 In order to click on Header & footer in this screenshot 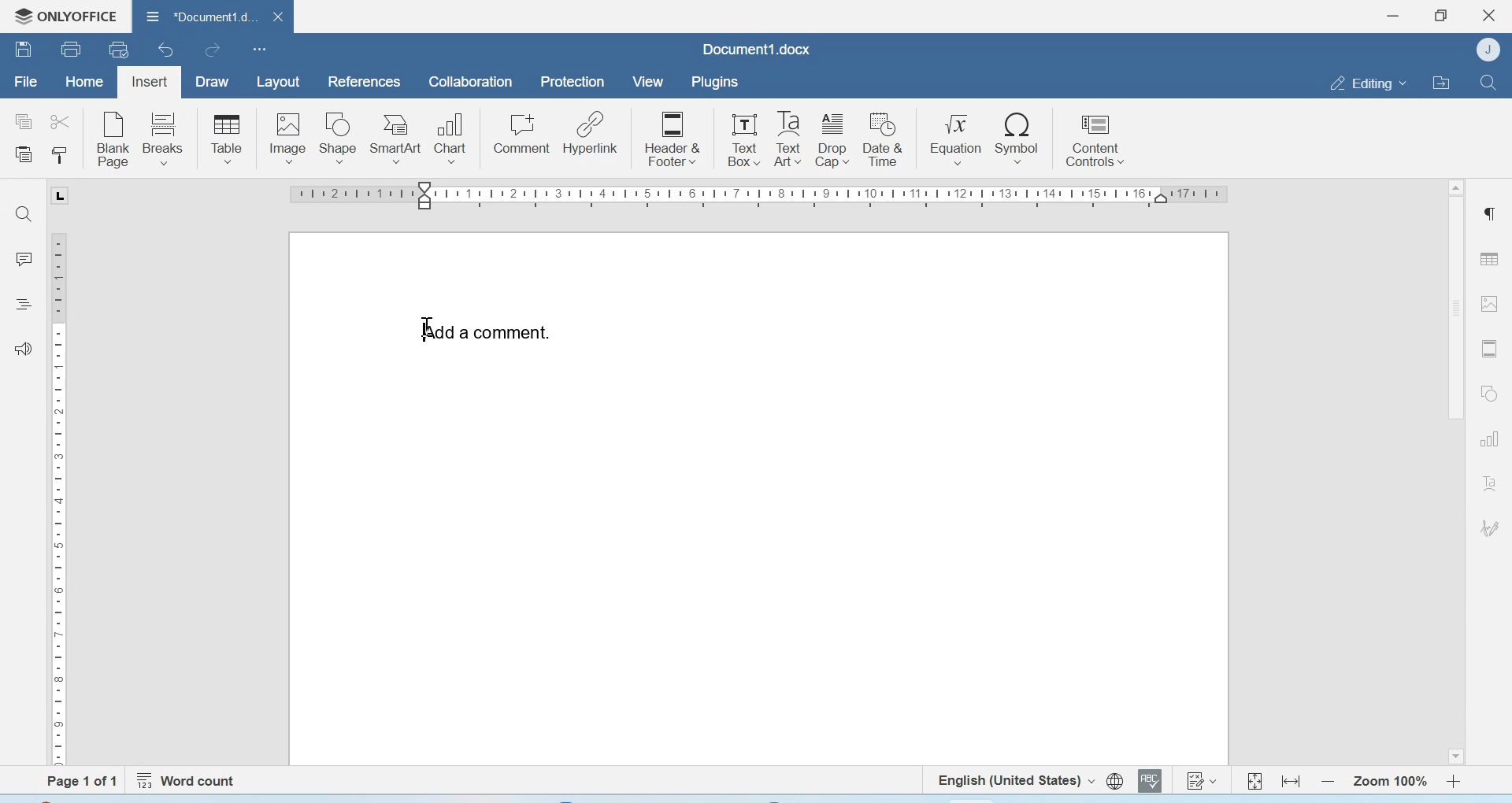, I will do `click(1490, 349)`.